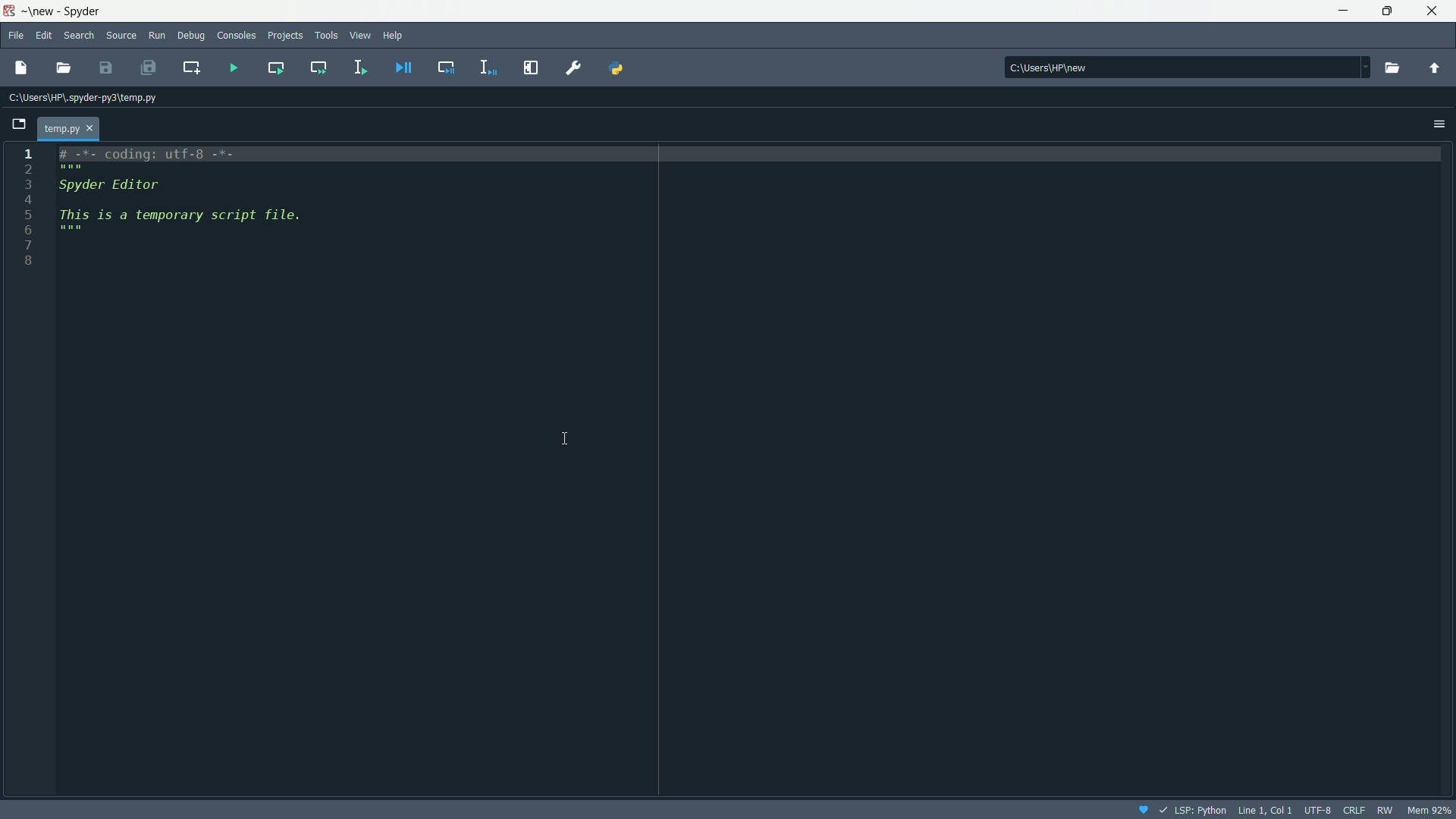 The image size is (1456, 819). Describe the element at coordinates (1190, 805) in the screenshot. I see `LSP:Python` at that location.